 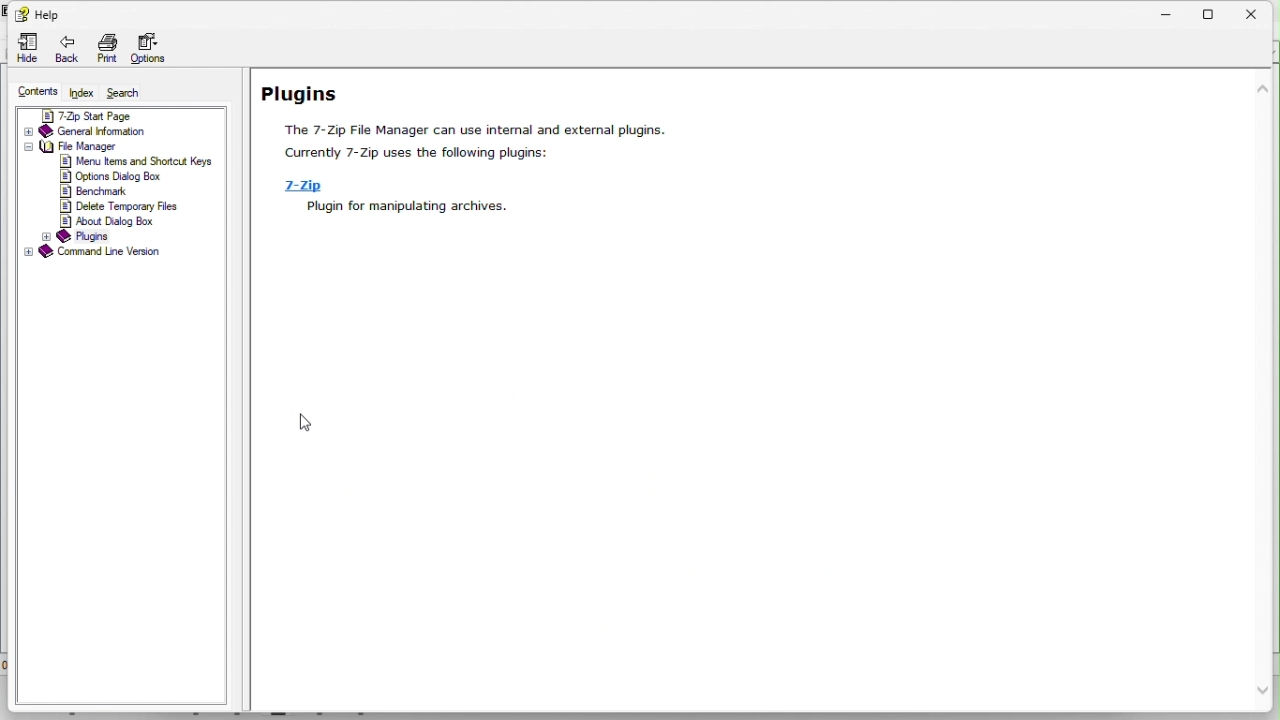 I want to click on scroll up, so click(x=1263, y=87).